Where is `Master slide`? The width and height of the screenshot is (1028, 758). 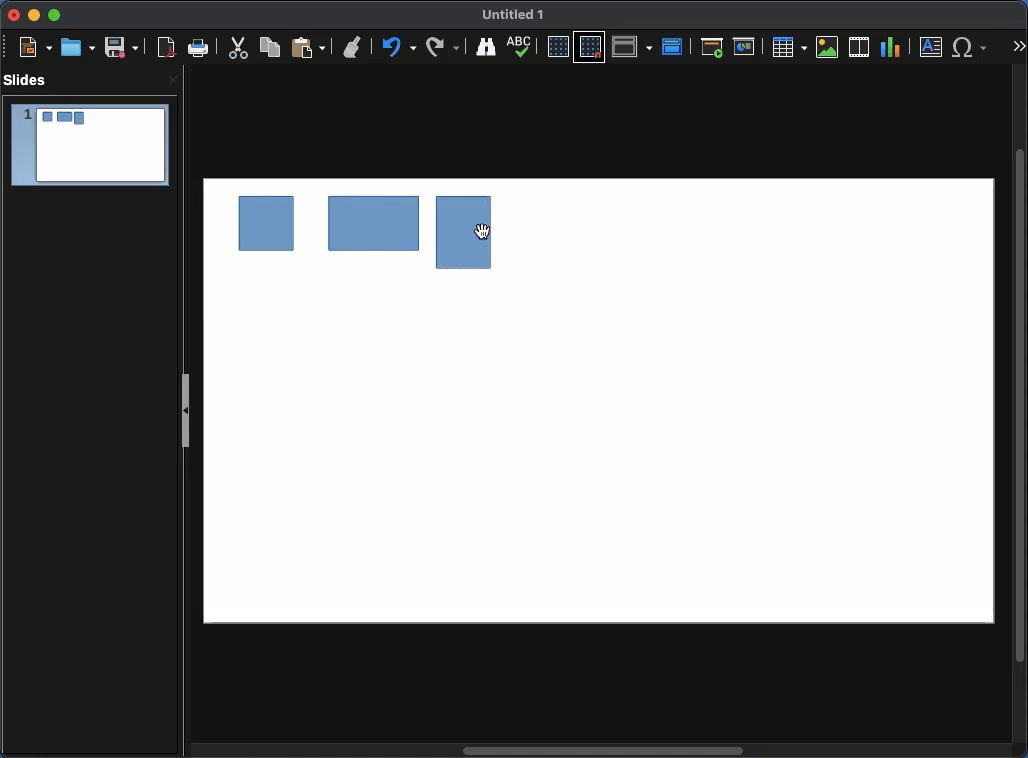 Master slide is located at coordinates (673, 46).